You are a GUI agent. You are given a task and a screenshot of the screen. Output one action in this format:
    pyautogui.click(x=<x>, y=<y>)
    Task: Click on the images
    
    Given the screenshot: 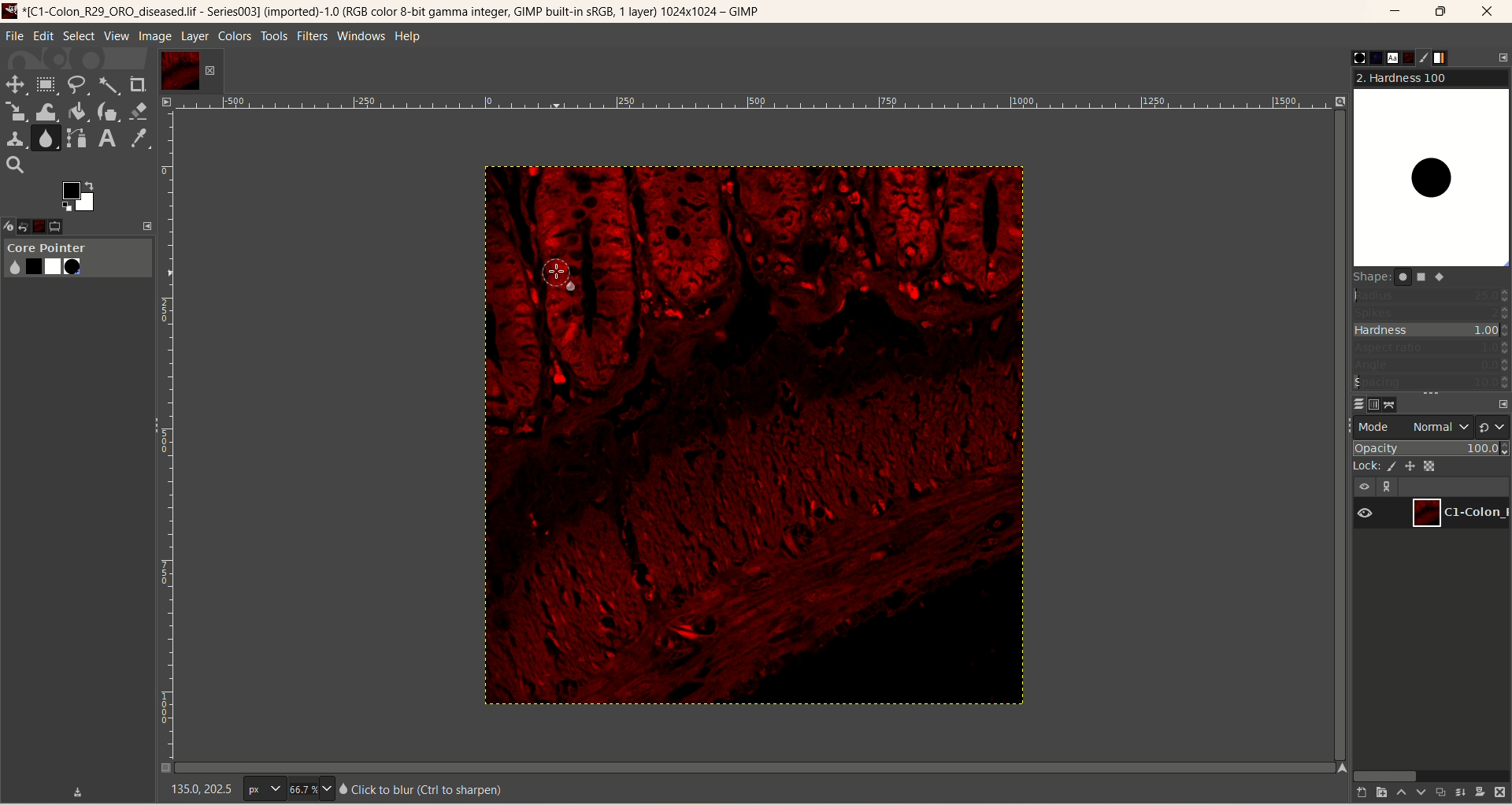 What is the action you would take?
    pyautogui.click(x=50, y=224)
    